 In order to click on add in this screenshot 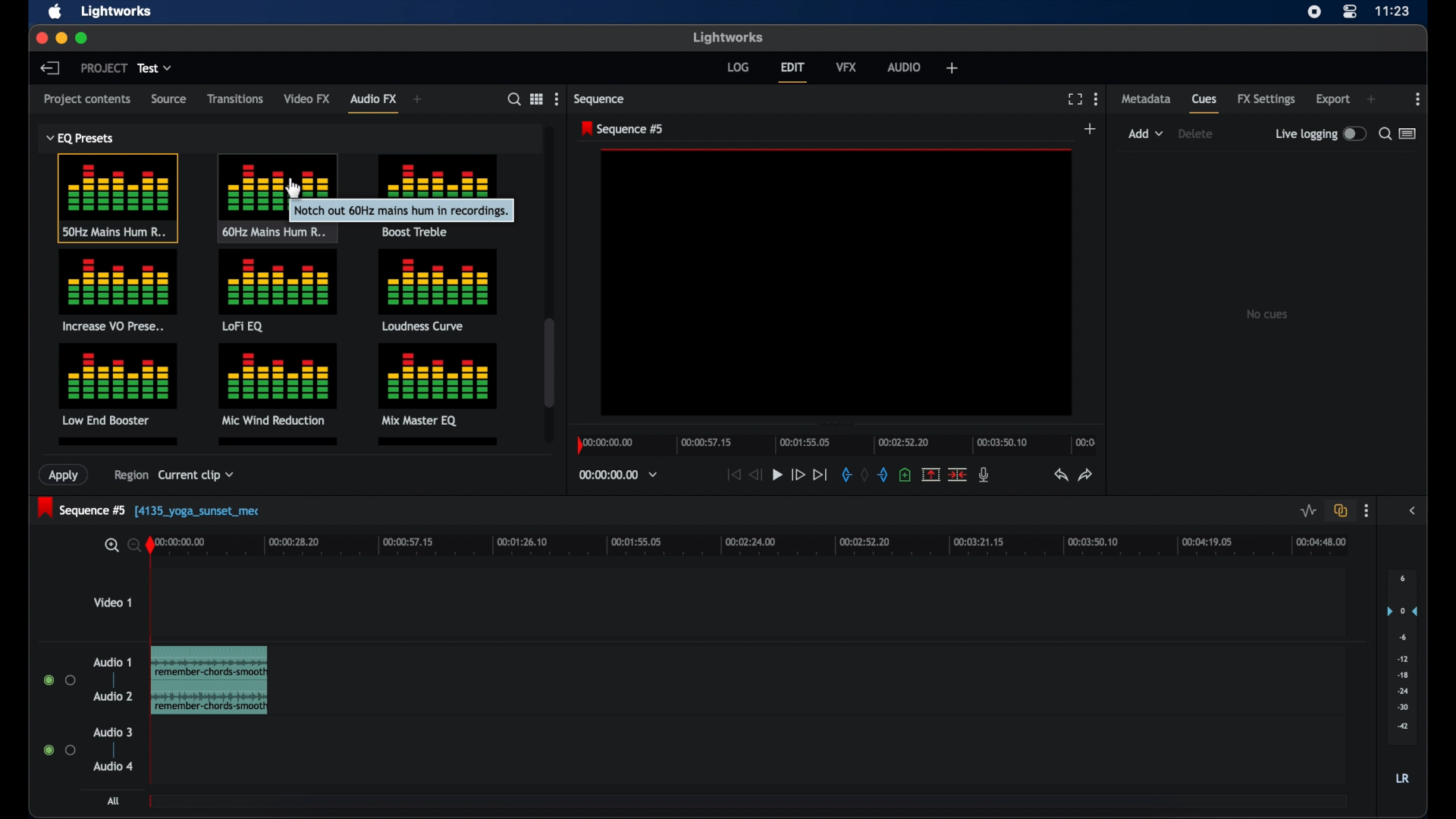, I will do `click(1090, 128)`.